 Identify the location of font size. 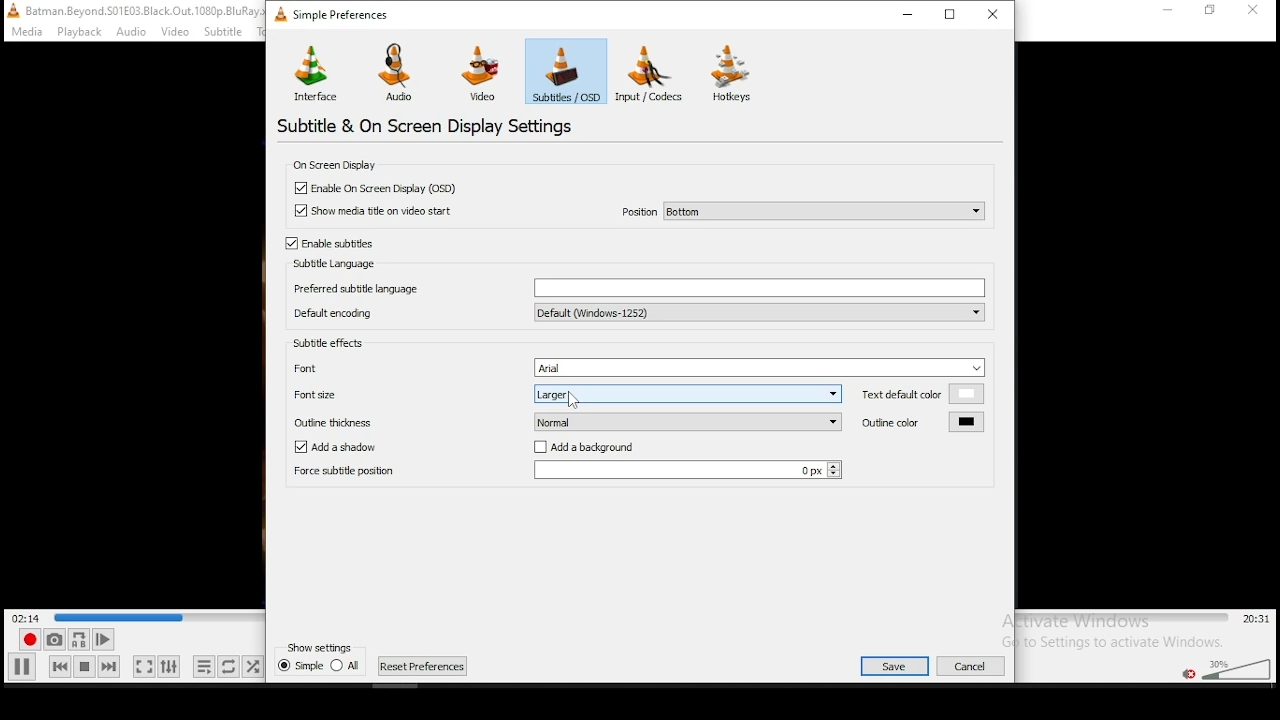
(564, 394).